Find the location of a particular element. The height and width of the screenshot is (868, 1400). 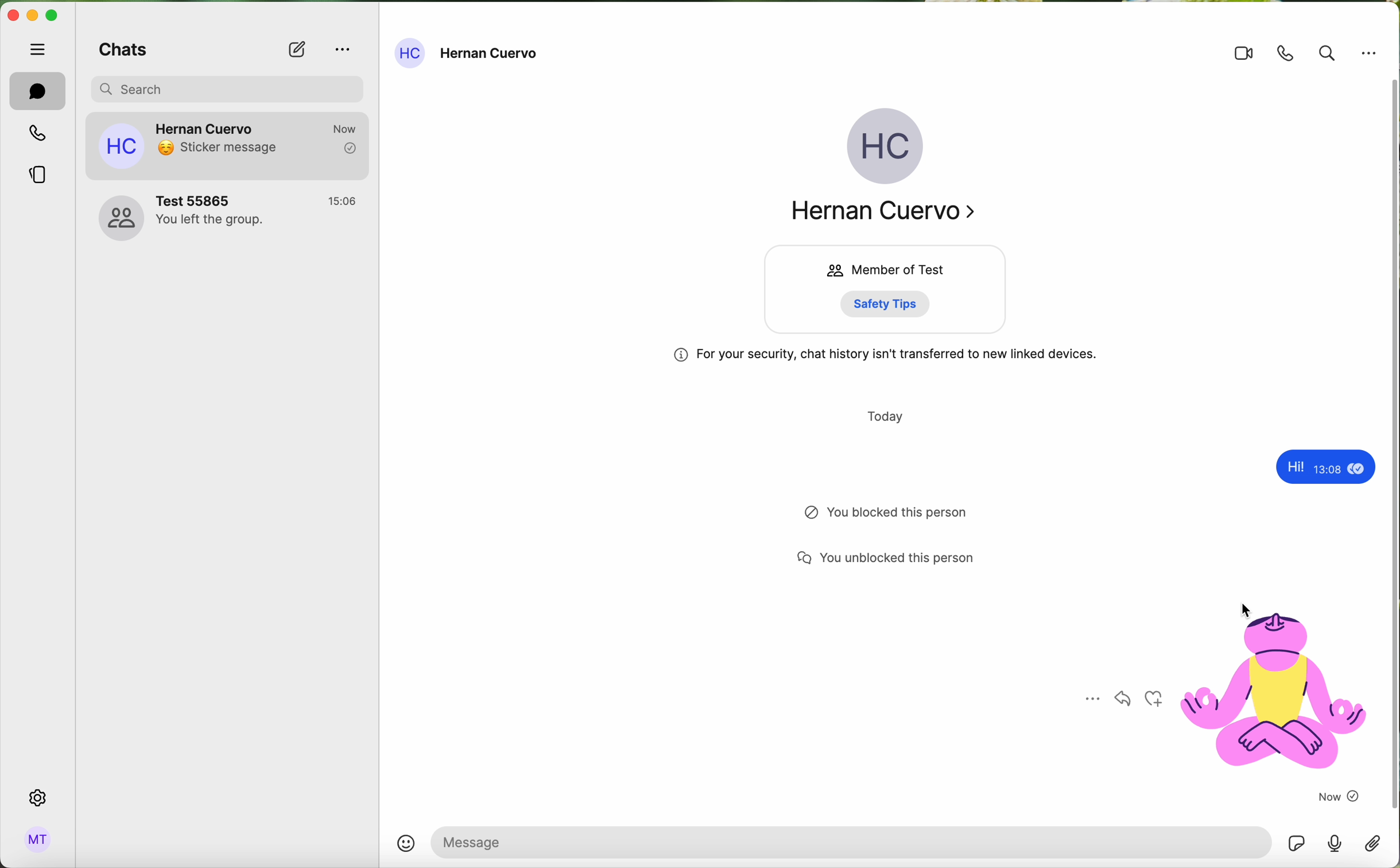

search bar is located at coordinates (235, 88).